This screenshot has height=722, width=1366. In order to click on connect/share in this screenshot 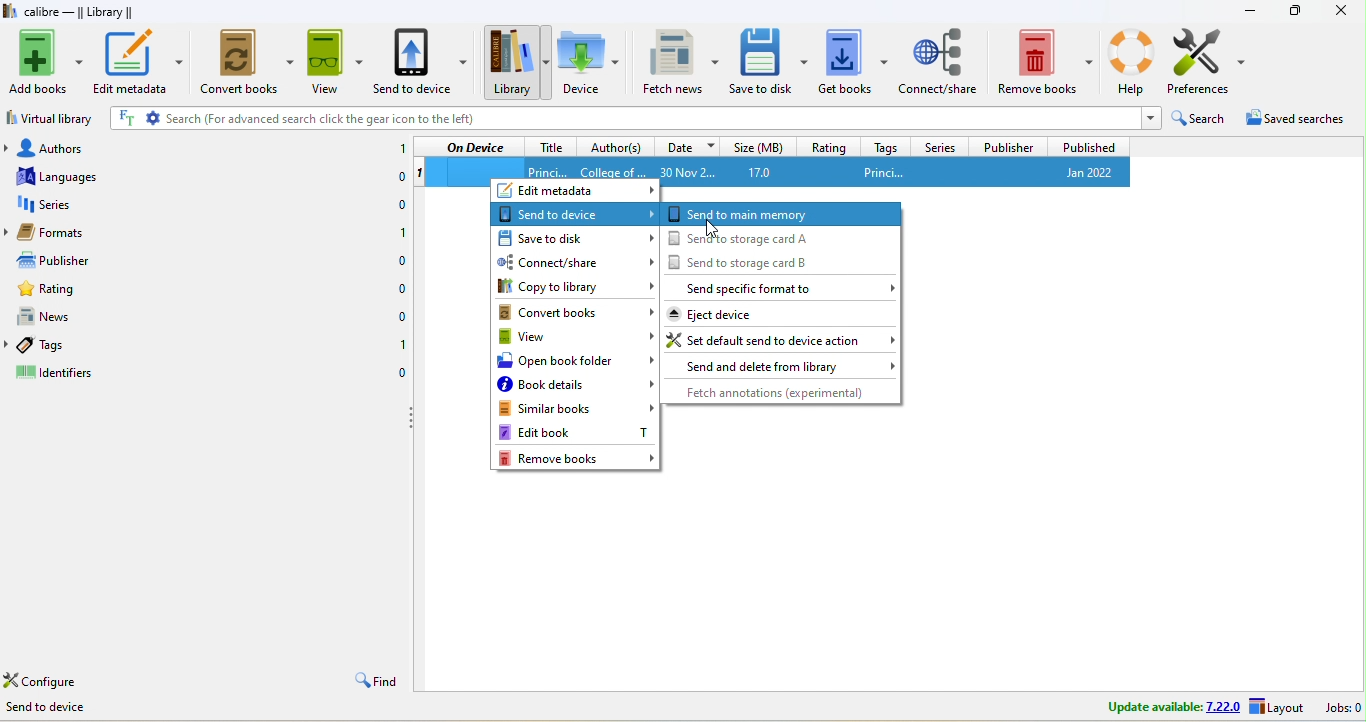, I will do `click(940, 59)`.